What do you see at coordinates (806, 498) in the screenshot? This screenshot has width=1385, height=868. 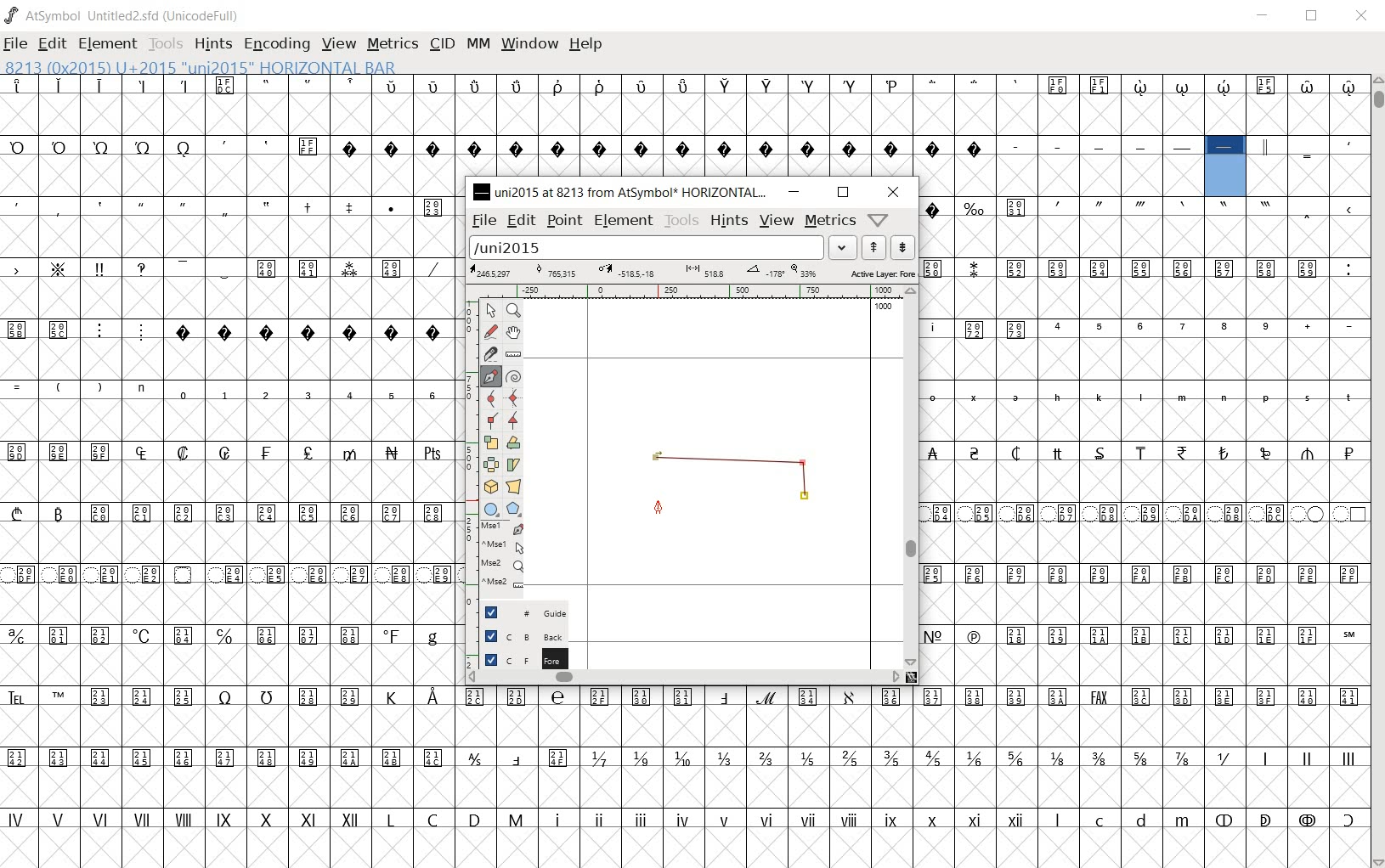 I see `added point` at bounding box center [806, 498].